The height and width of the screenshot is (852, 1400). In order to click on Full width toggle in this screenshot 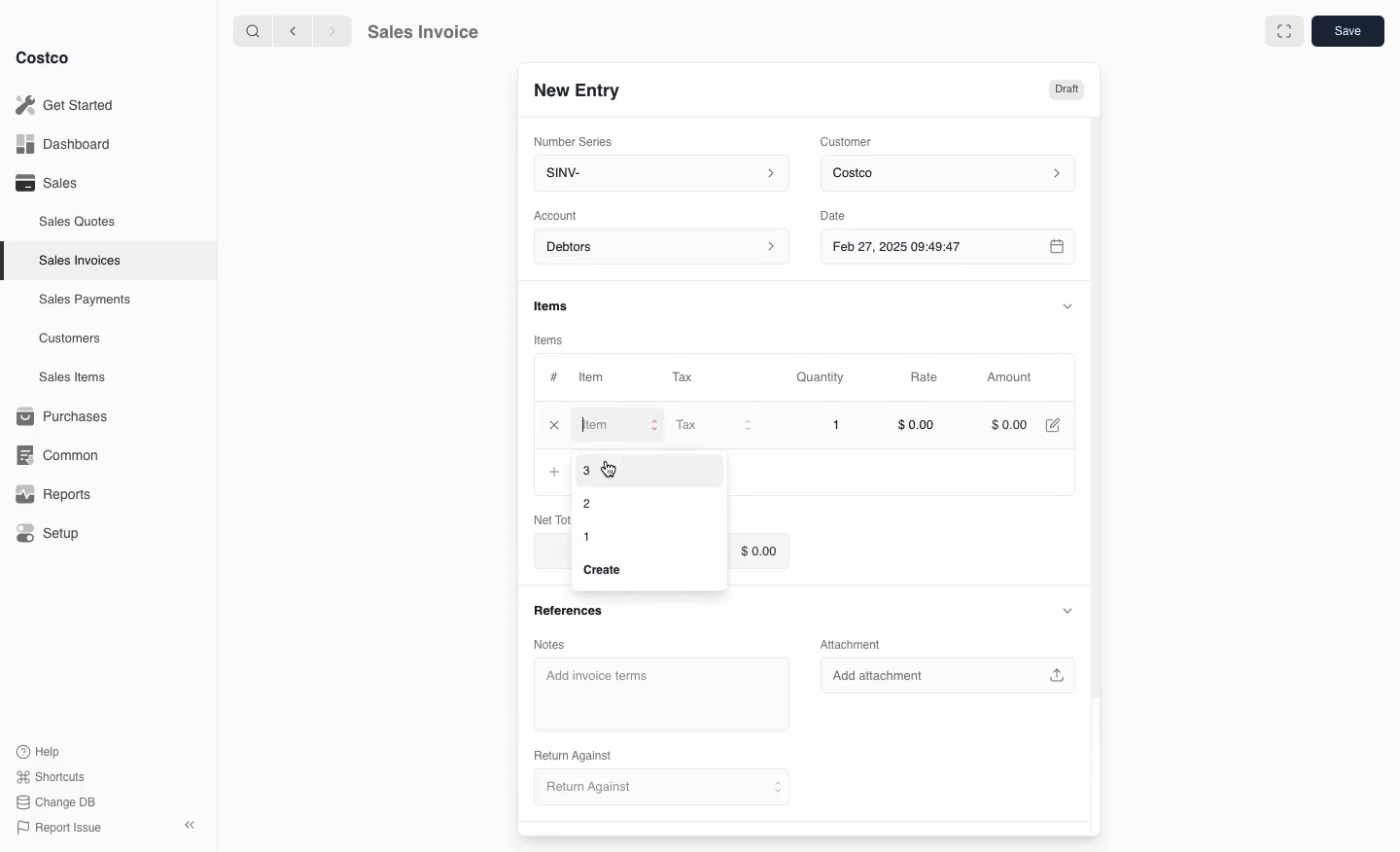, I will do `click(1283, 31)`.